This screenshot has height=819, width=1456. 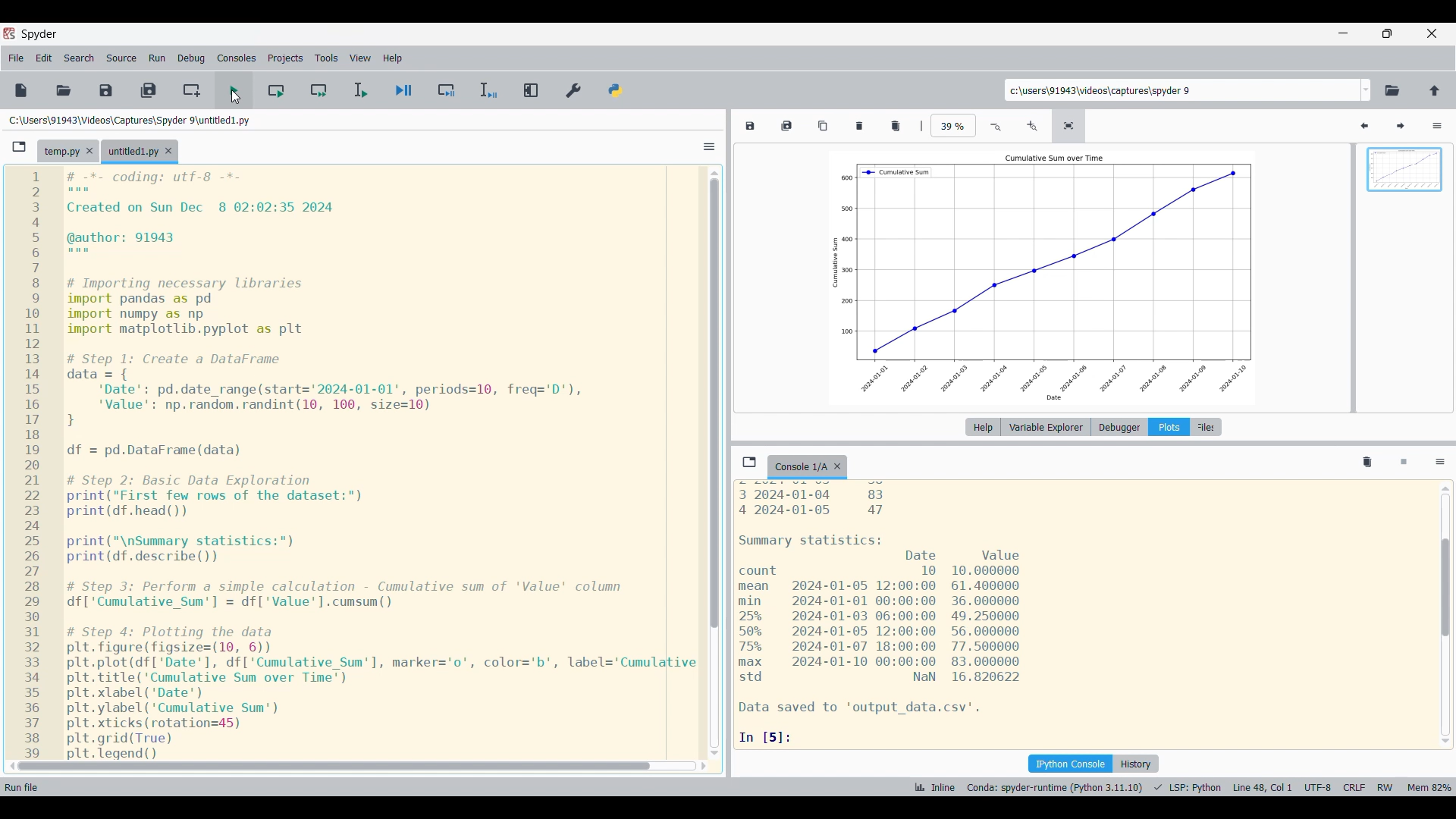 What do you see at coordinates (1432, 33) in the screenshot?
I see `Close interface` at bounding box center [1432, 33].